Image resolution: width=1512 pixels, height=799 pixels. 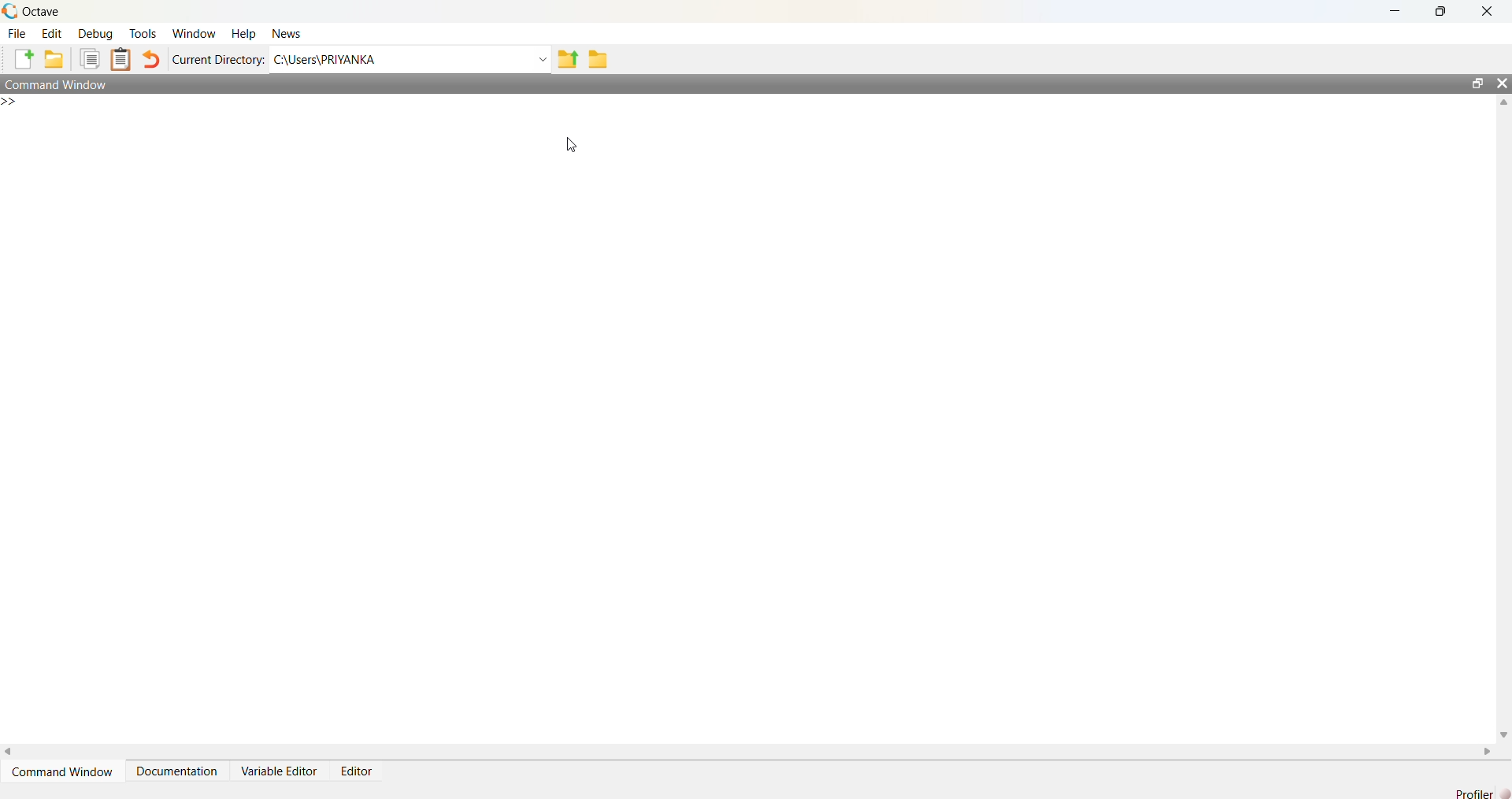 What do you see at coordinates (1482, 793) in the screenshot?
I see `Profiler` at bounding box center [1482, 793].